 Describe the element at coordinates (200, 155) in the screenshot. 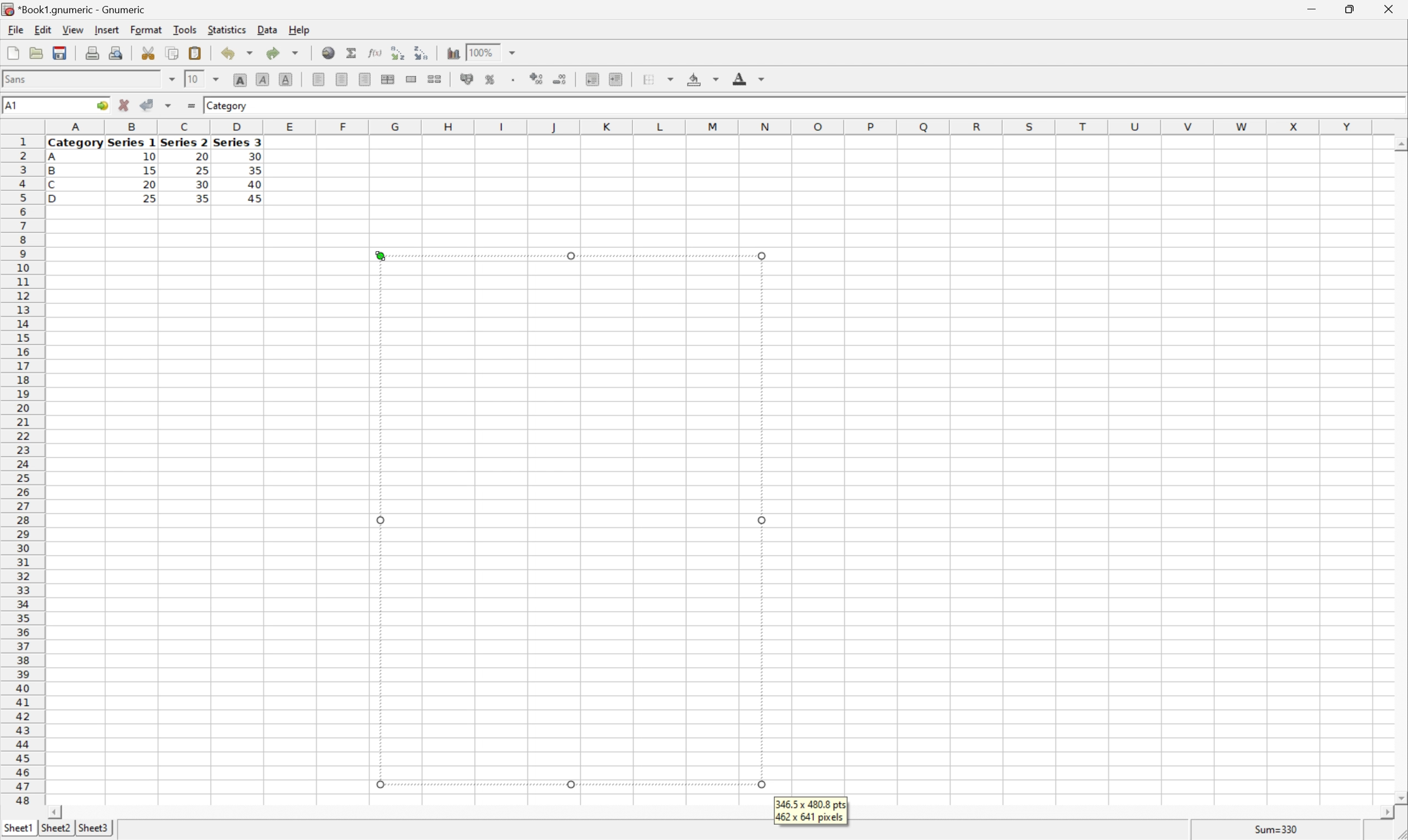

I see `20` at that location.